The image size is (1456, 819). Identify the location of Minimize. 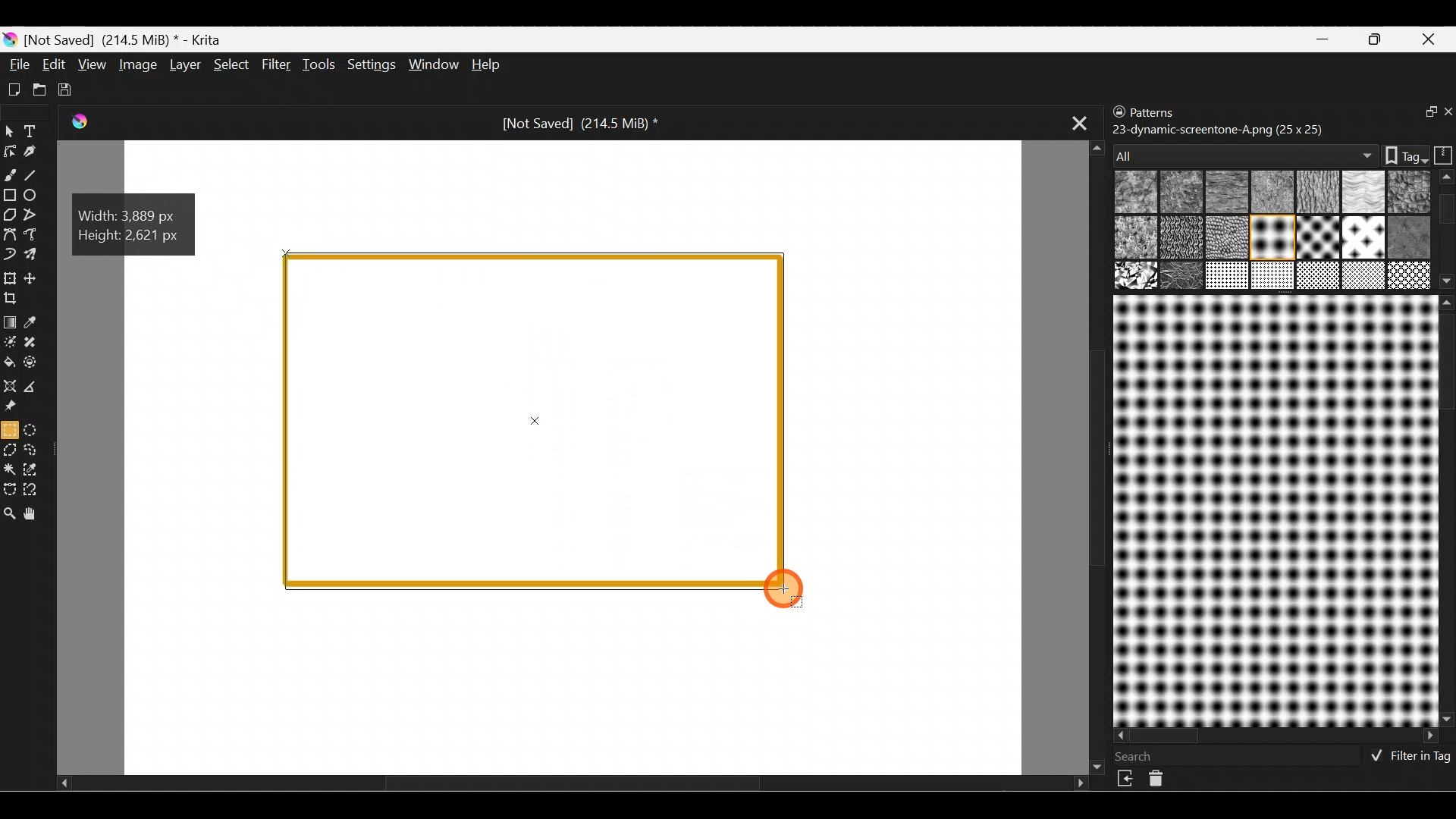
(1324, 39).